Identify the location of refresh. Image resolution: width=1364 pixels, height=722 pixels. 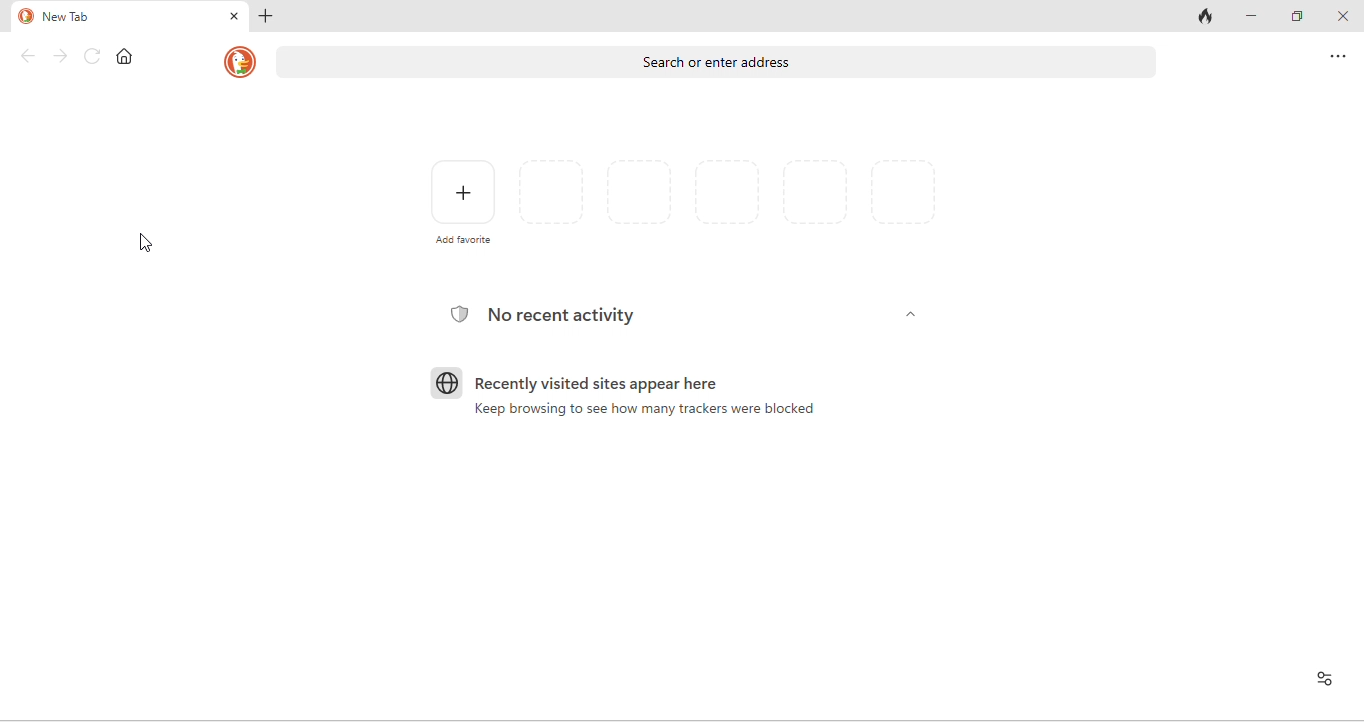
(94, 57).